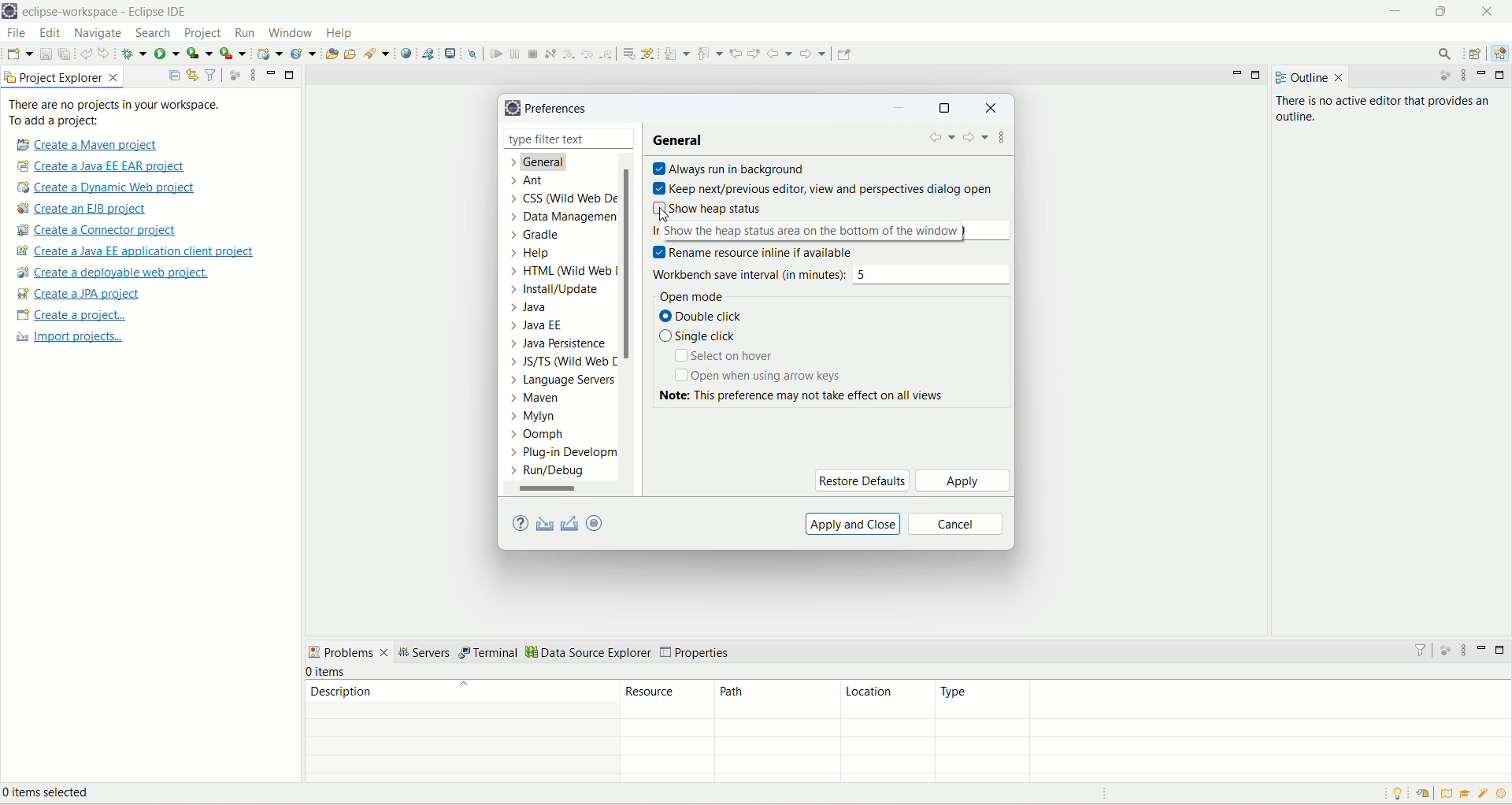 Image resolution: width=1512 pixels, height=805 pixels. What do you see at coordinates (50, 34) in the screenshot?
I see `edit` at bounding box center [50, 34].